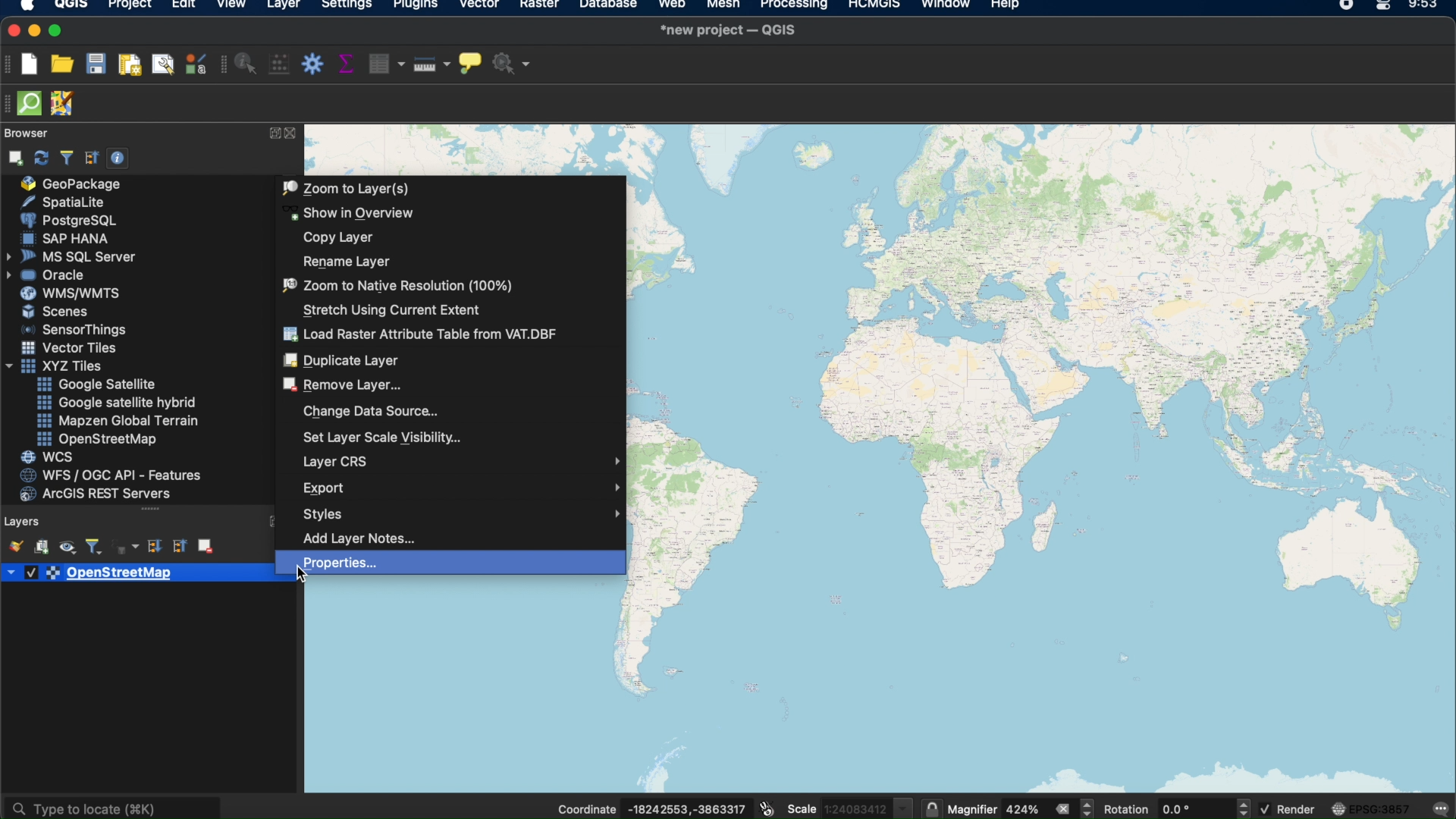 This screenshot has height=819, width=1456. What do you see at coordinates (70, 257) in the screenshot?
I see `ms sql server` at bounding box center [70, 257].